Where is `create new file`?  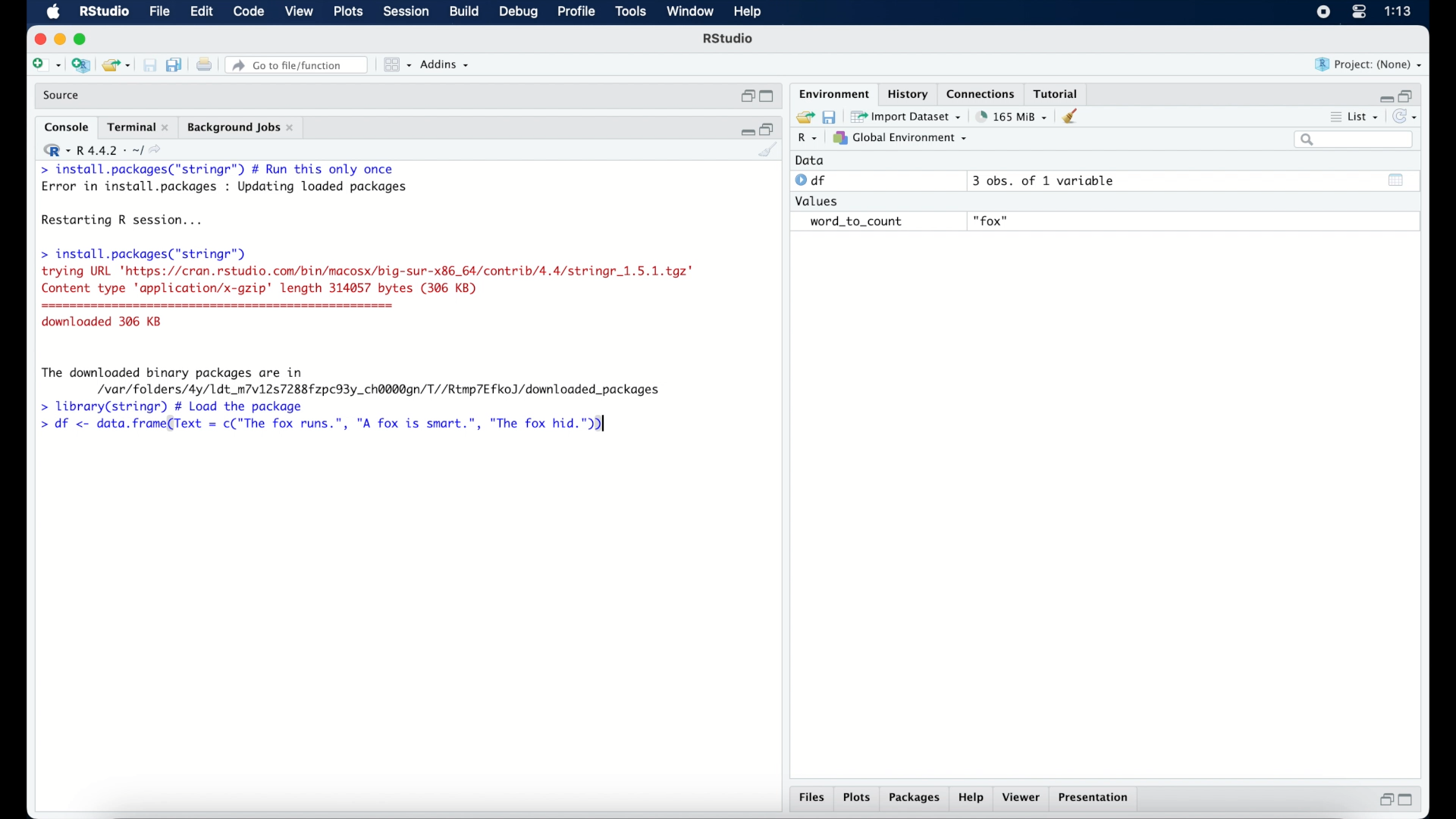 create new file is located at coordinates (45, 66).